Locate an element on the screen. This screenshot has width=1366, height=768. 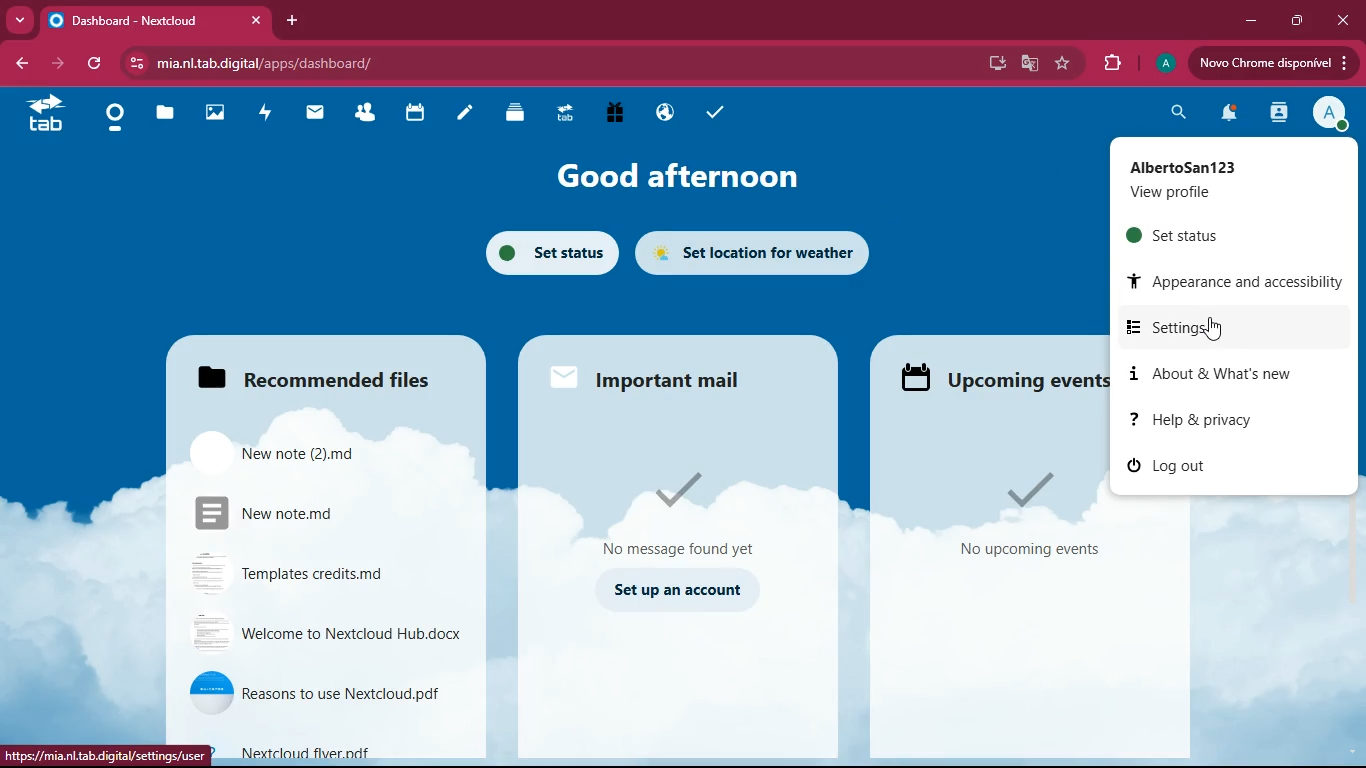
settings is located at coordinates (1159, 328).